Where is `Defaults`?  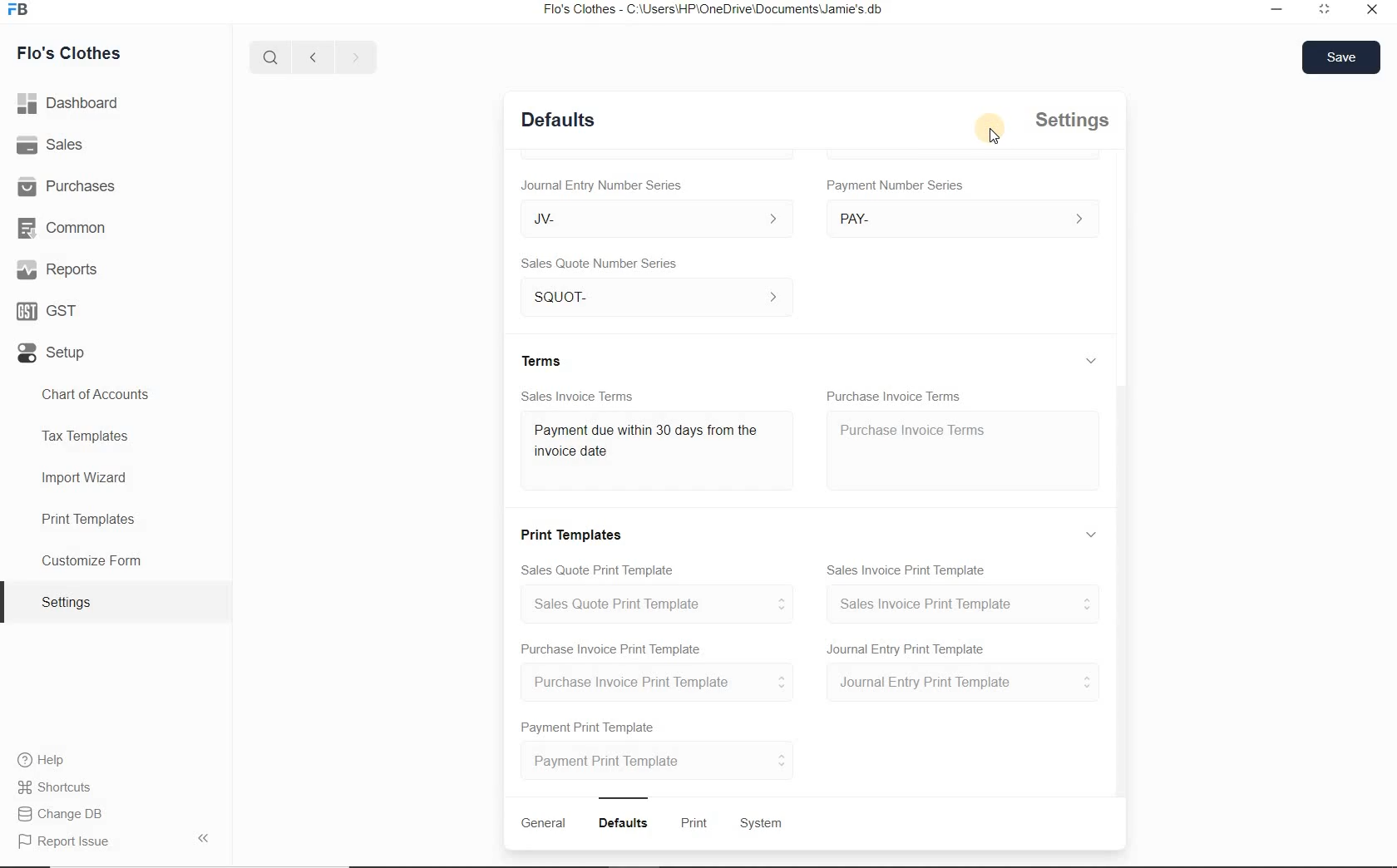
Defaults is located at coordinates (623, 823).